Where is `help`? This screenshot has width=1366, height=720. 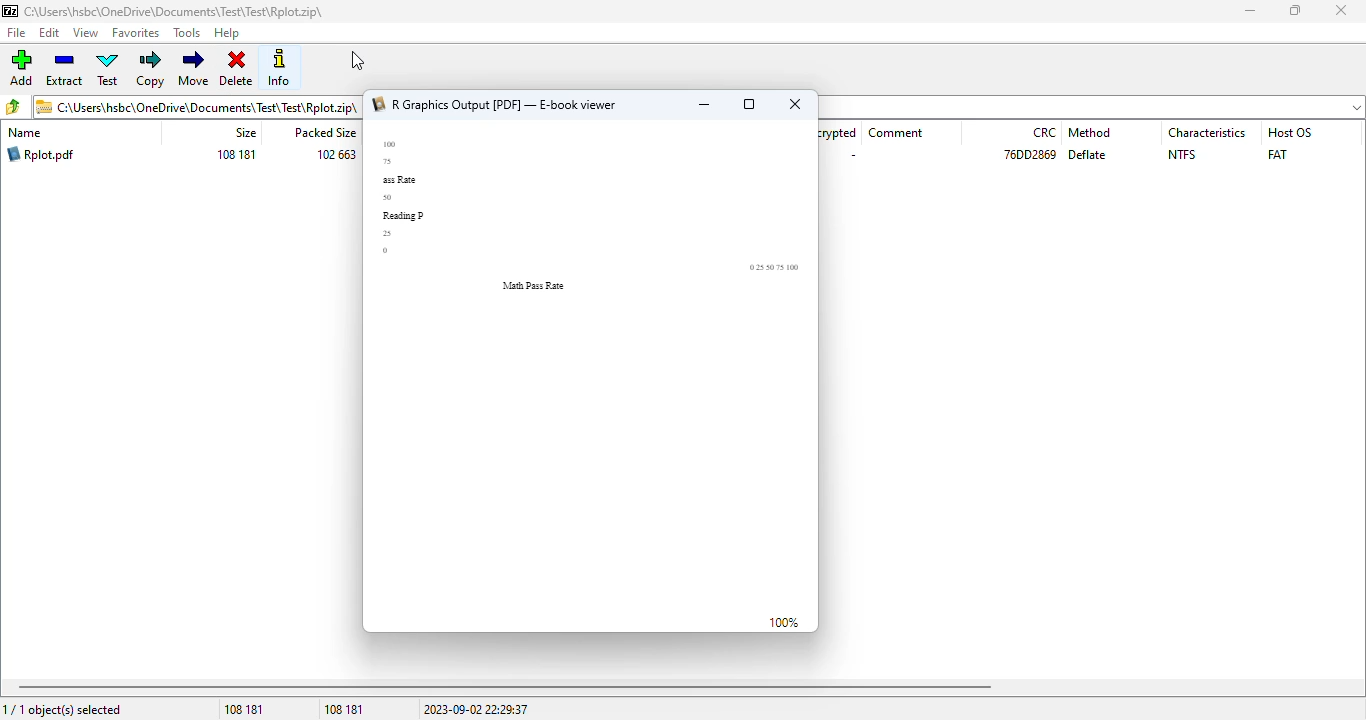
help is located at coordinates (228, 33).